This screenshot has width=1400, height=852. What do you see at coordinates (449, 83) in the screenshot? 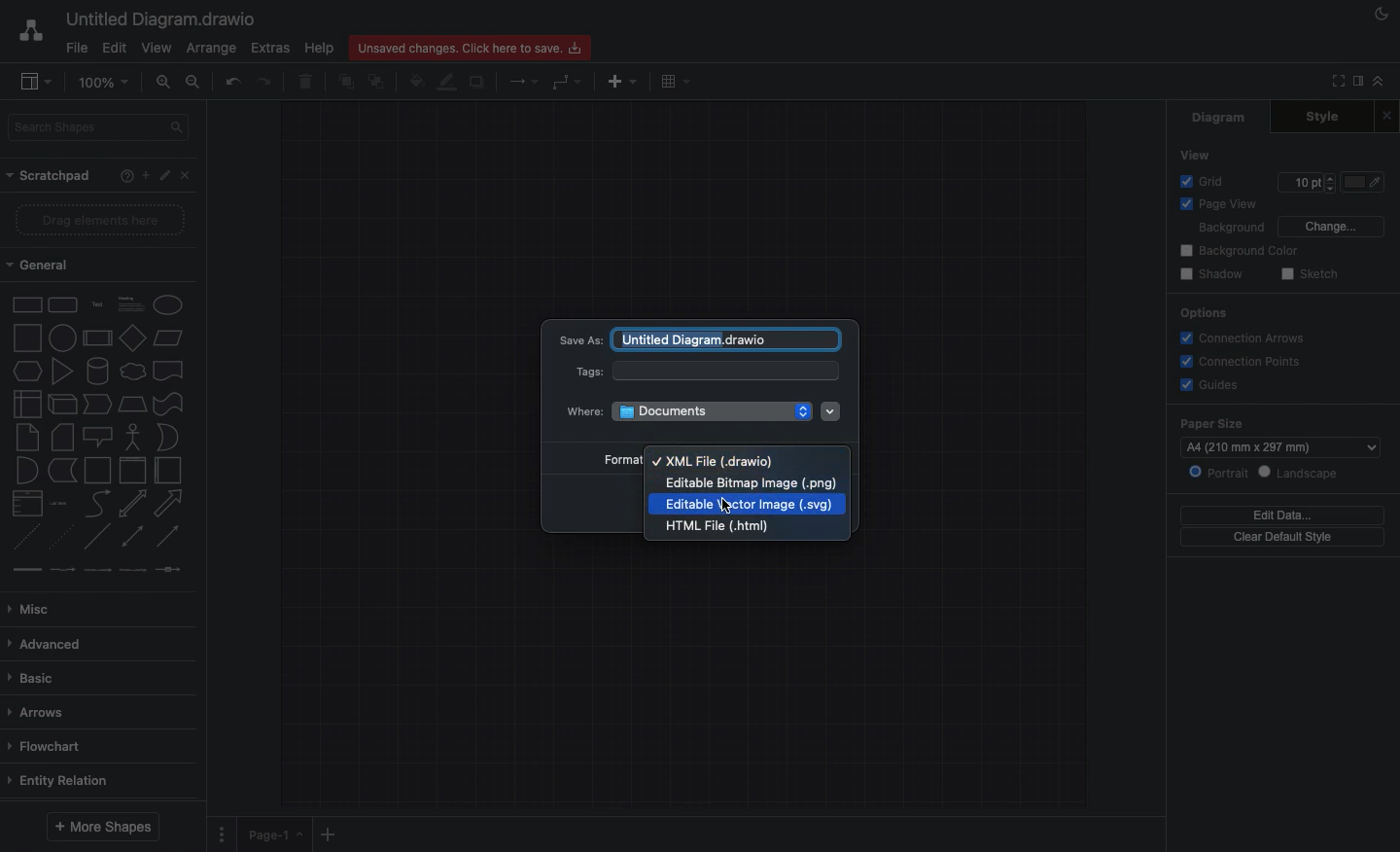
I see `Line color` at bounding box center [449, 83].